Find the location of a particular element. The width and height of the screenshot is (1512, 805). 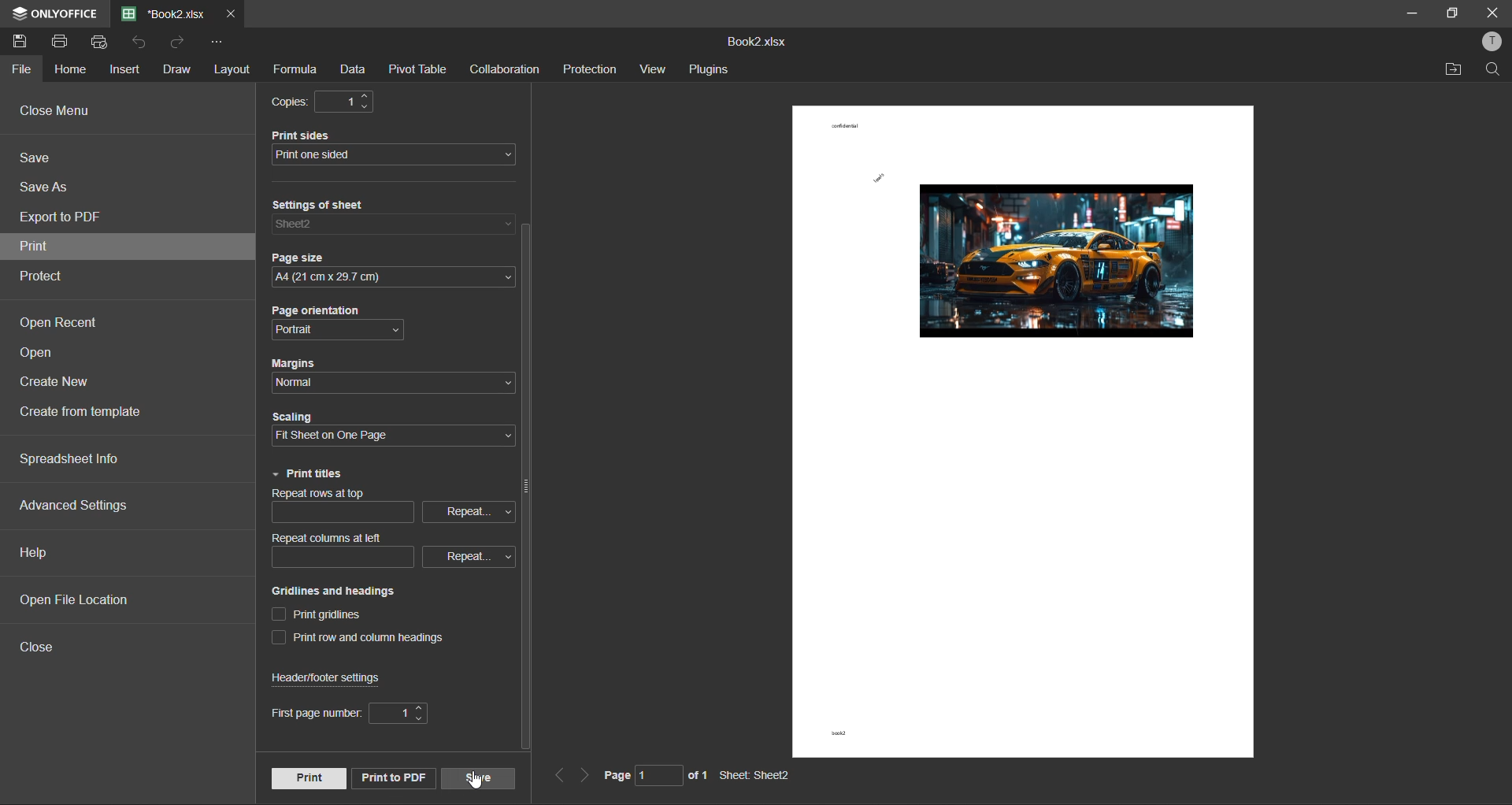

file is located at coordinates (20, 70).